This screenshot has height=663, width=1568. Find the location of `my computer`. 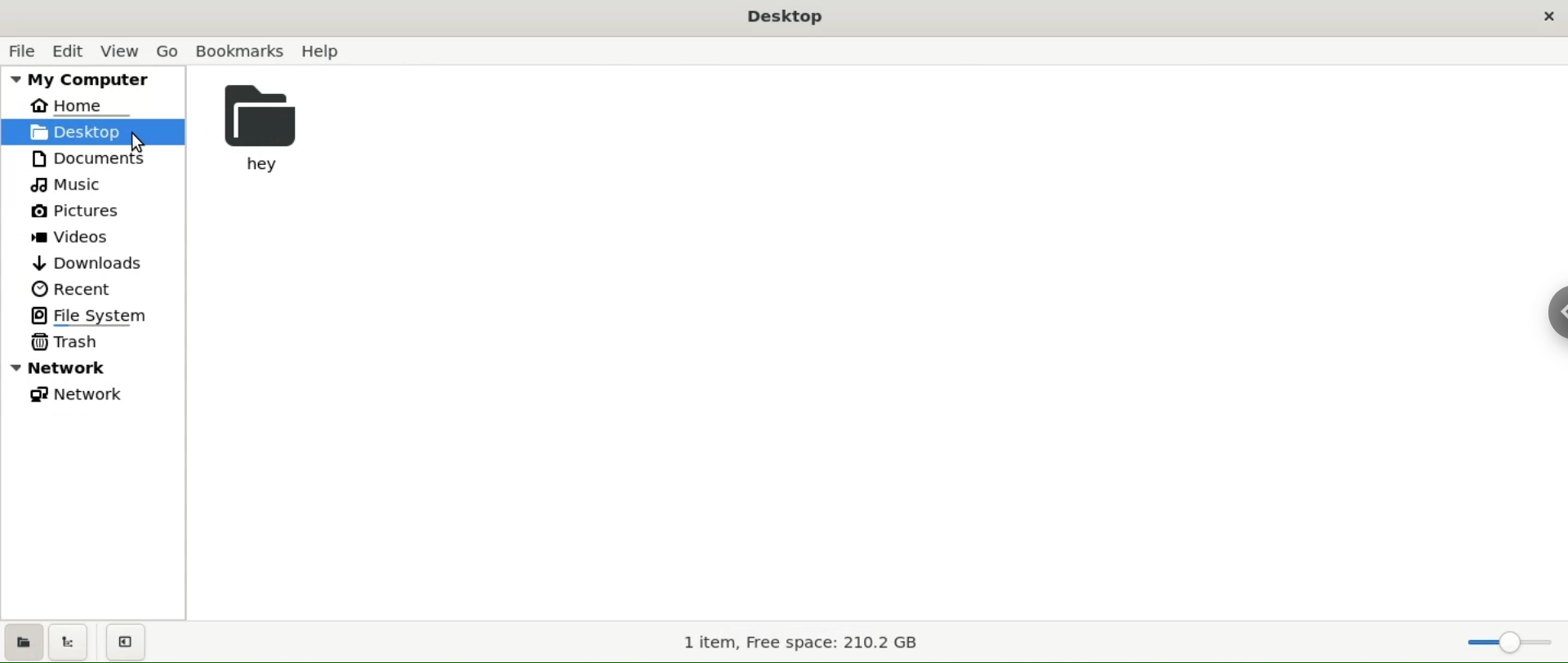

my computer is located at coordinates (87, 79).